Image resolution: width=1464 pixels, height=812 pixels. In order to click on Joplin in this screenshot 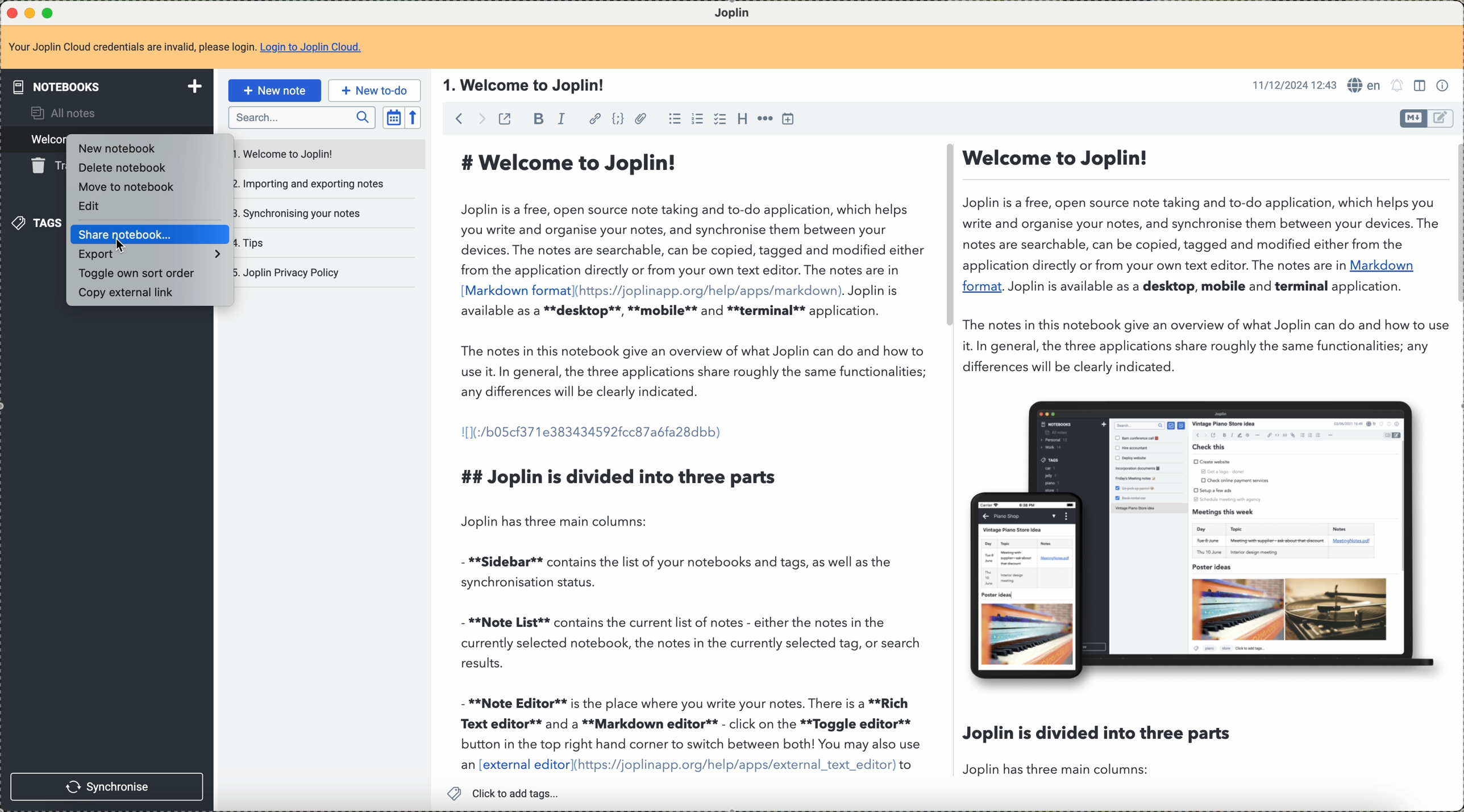, I will do `click(740, 11)`.